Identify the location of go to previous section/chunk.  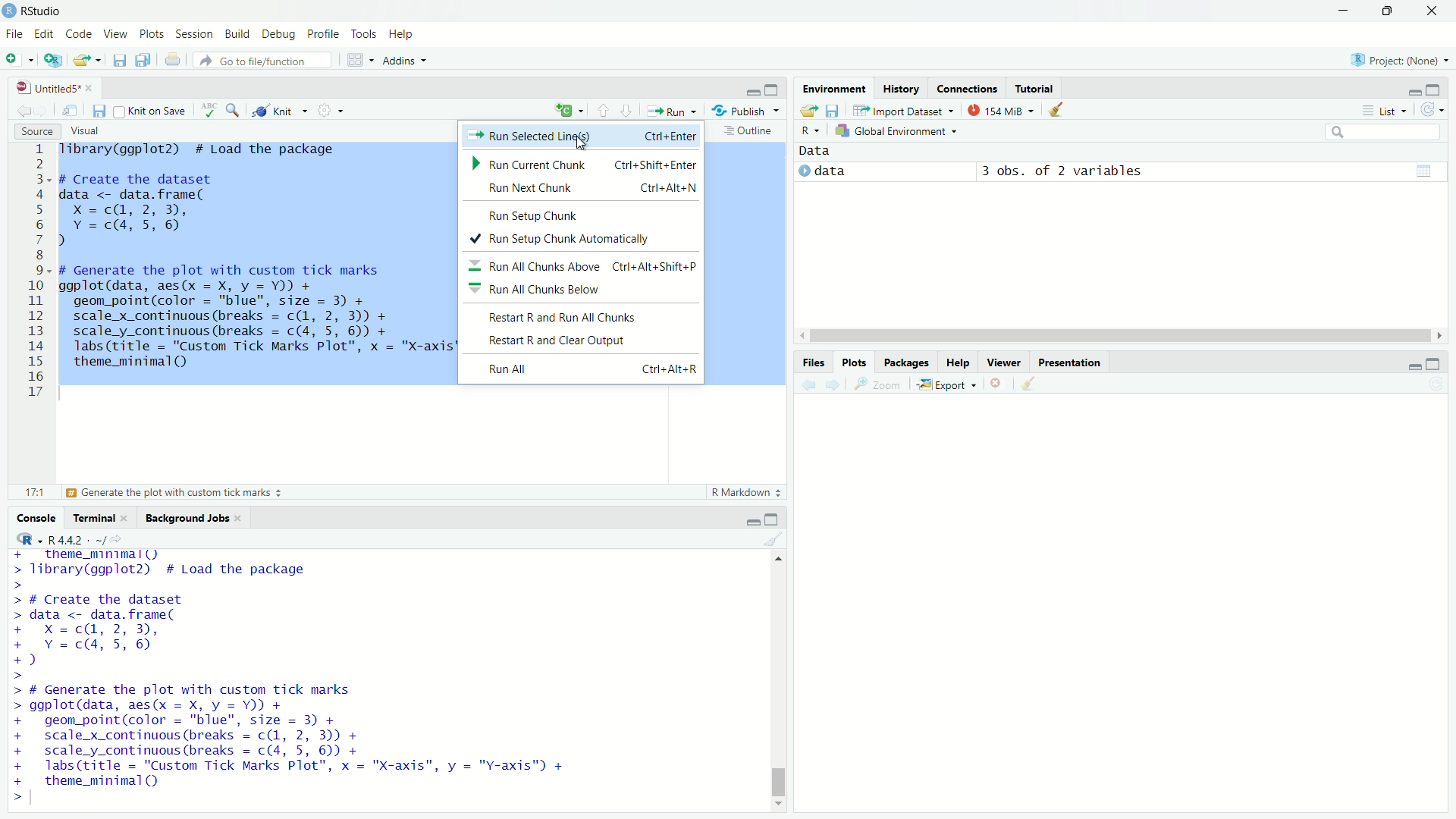
(602, 110).